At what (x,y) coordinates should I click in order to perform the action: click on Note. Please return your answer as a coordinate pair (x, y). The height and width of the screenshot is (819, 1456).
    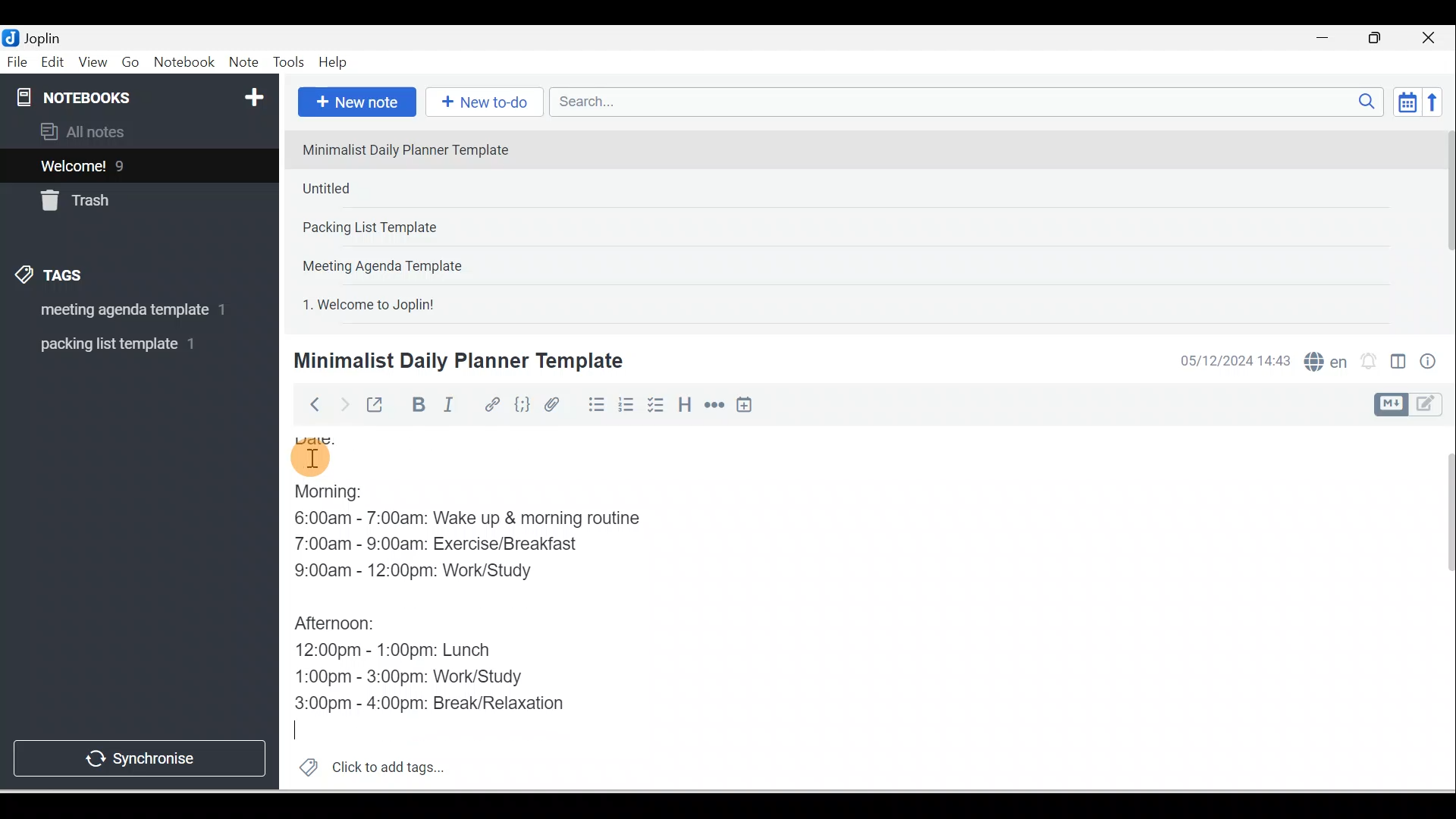
    Looking at the image, I should click on (242, 63).